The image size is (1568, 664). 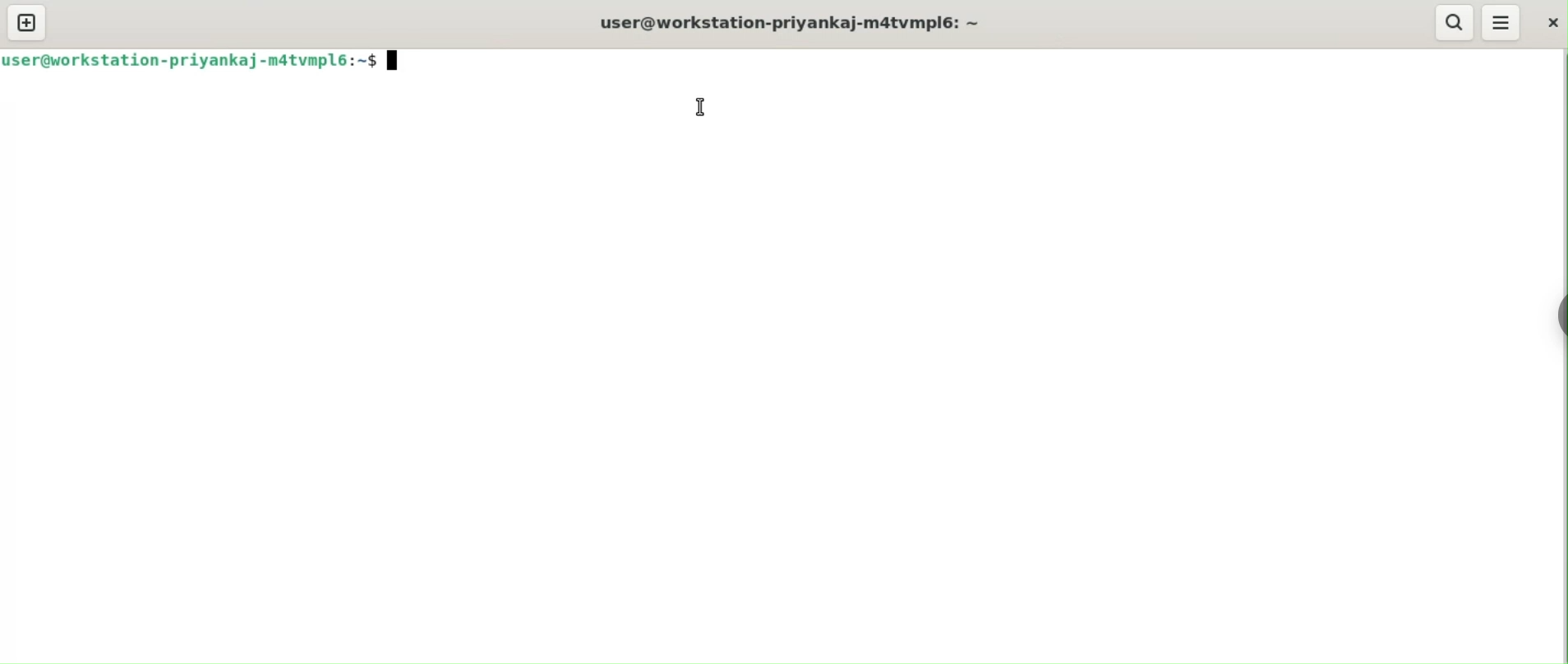 I want to click on search, so click(x=1454, y=22).